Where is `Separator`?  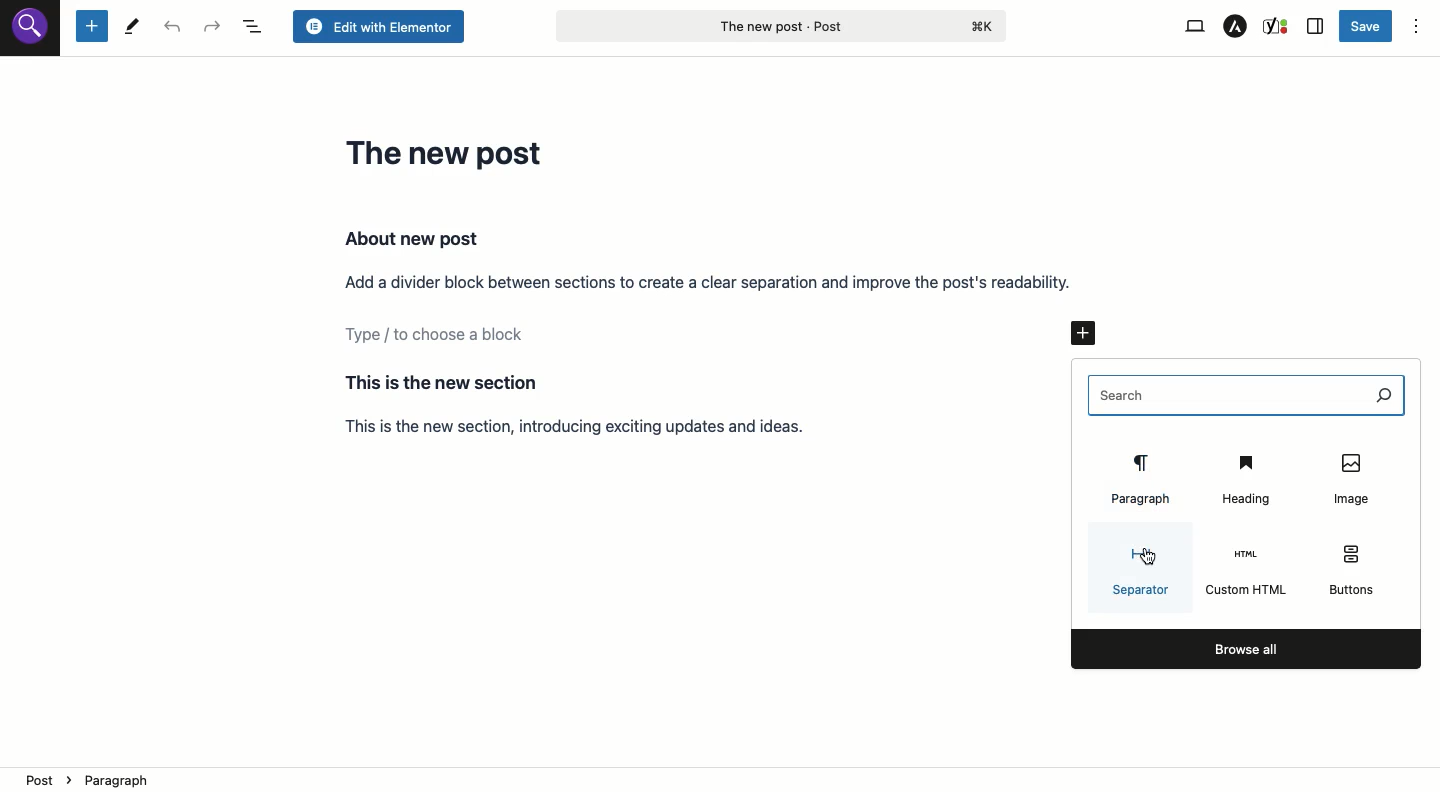 Separator is located at coordinates (1139, 572).